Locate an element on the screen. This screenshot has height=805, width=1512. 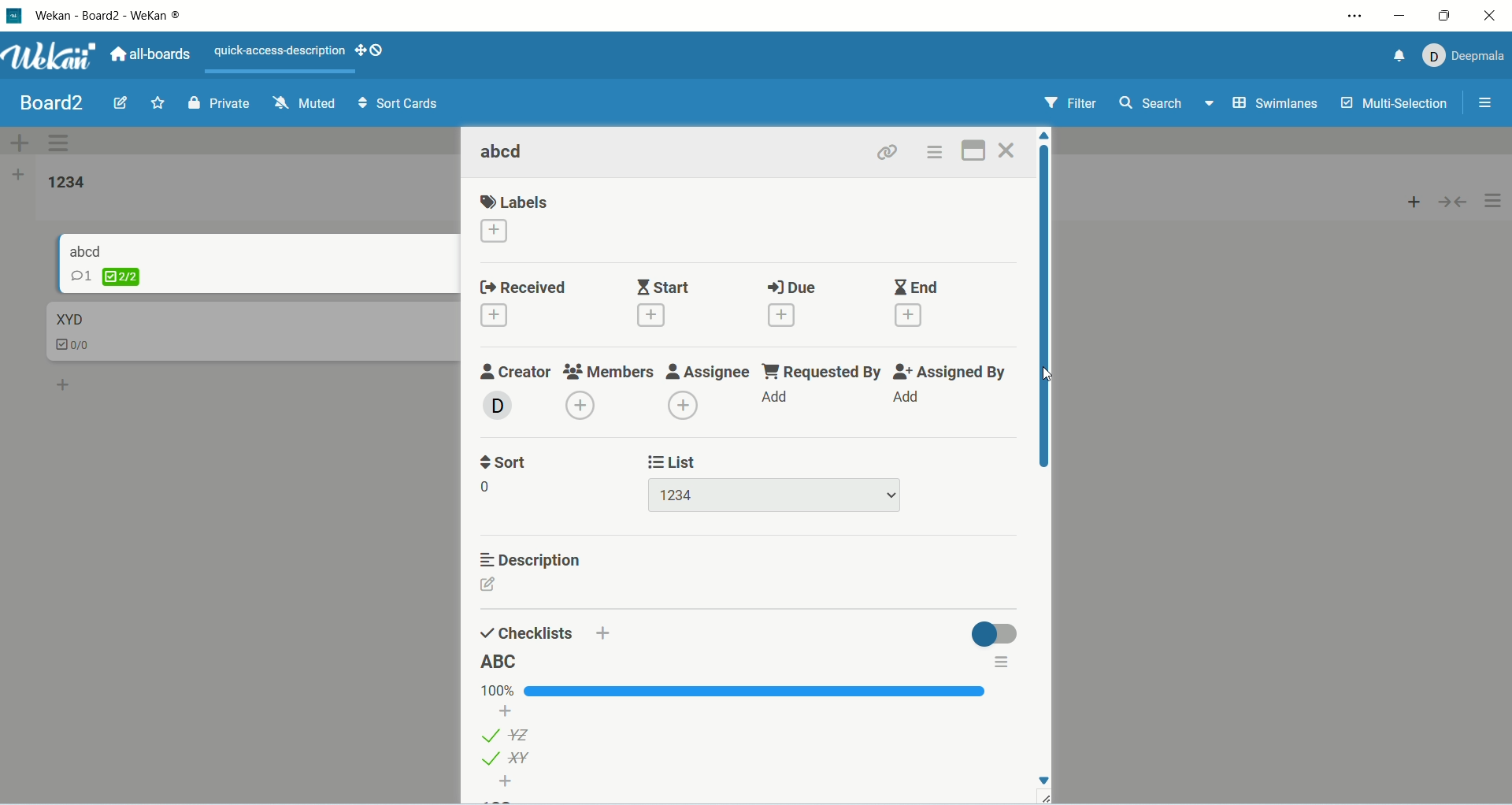
add is located at coordinates (504, 783).